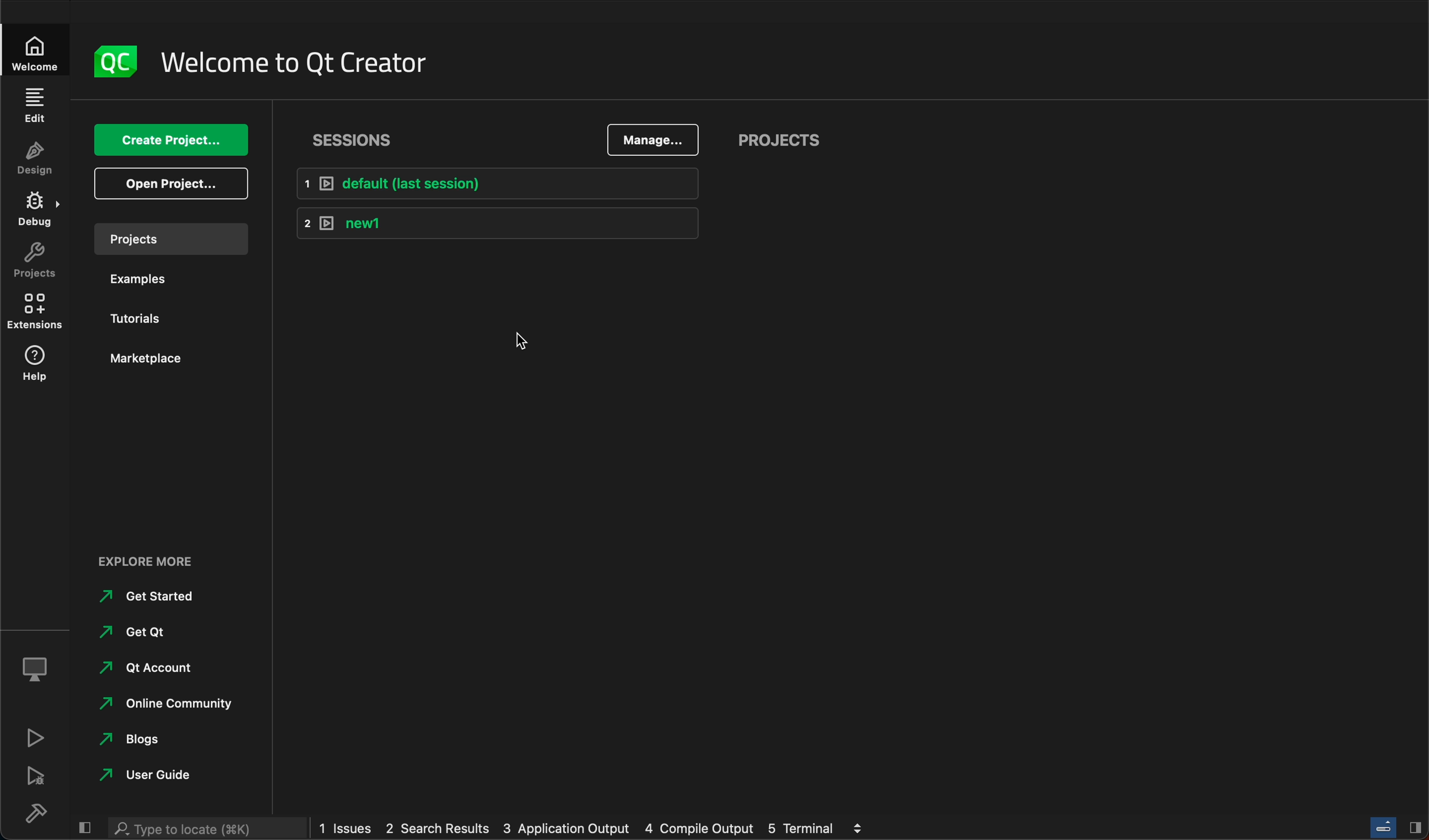  I want to click on debug, so click(39, 213).